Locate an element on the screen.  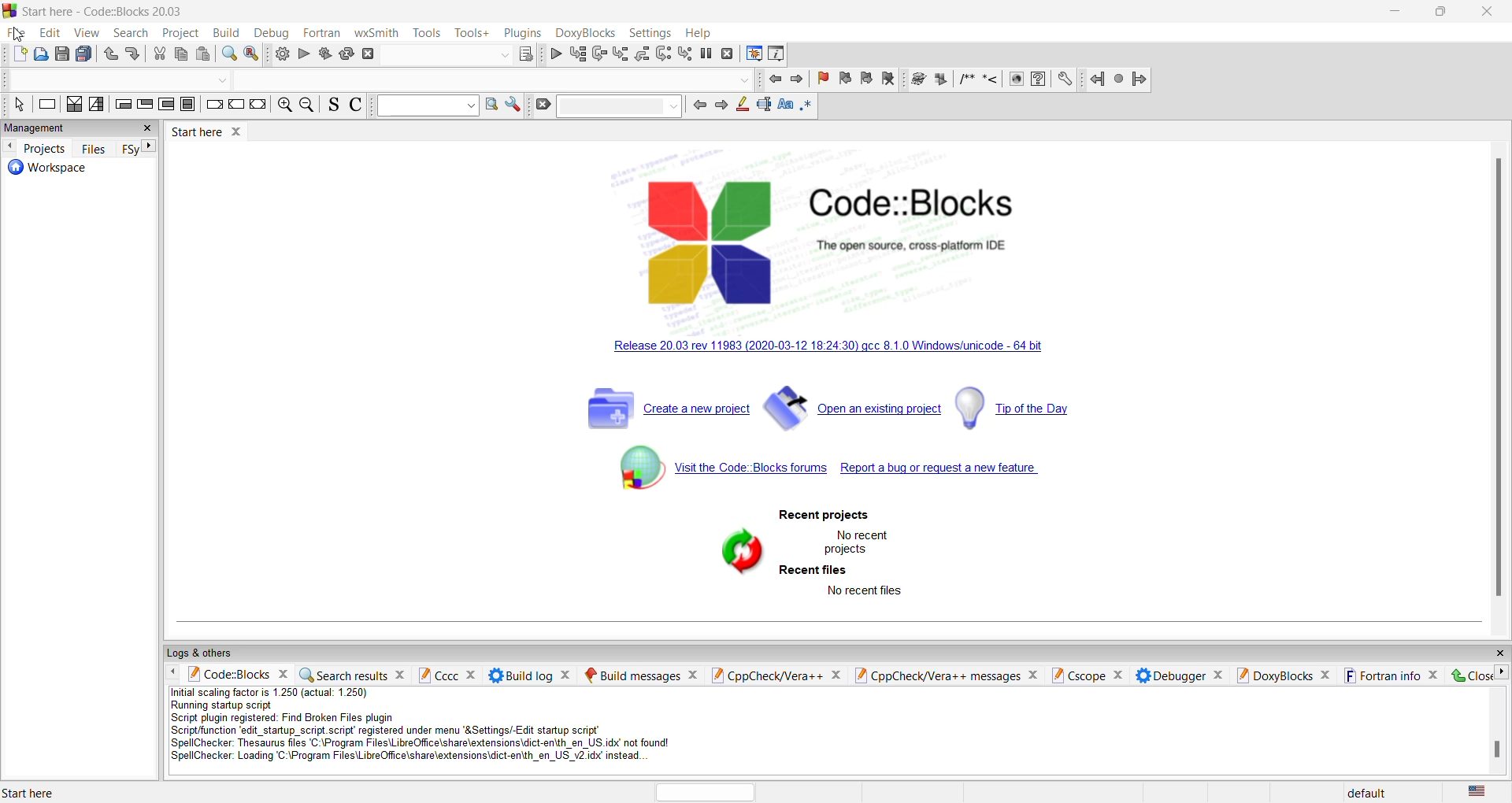
minimize is located at coordinates (1397, 11).